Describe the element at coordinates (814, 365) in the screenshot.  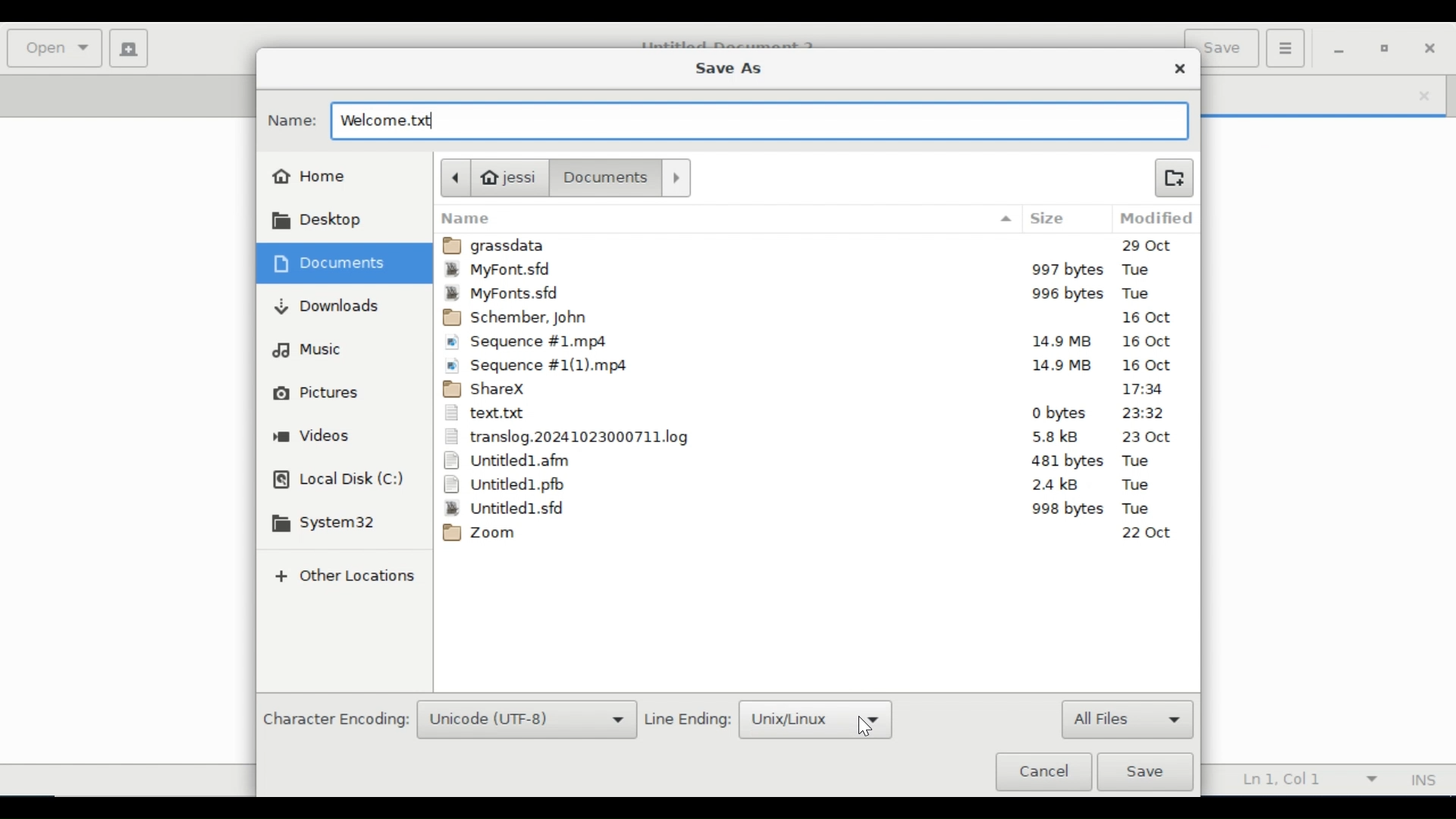
I see `Sequence #1(1)mp4 14.9 MB 16Oct` at that location.